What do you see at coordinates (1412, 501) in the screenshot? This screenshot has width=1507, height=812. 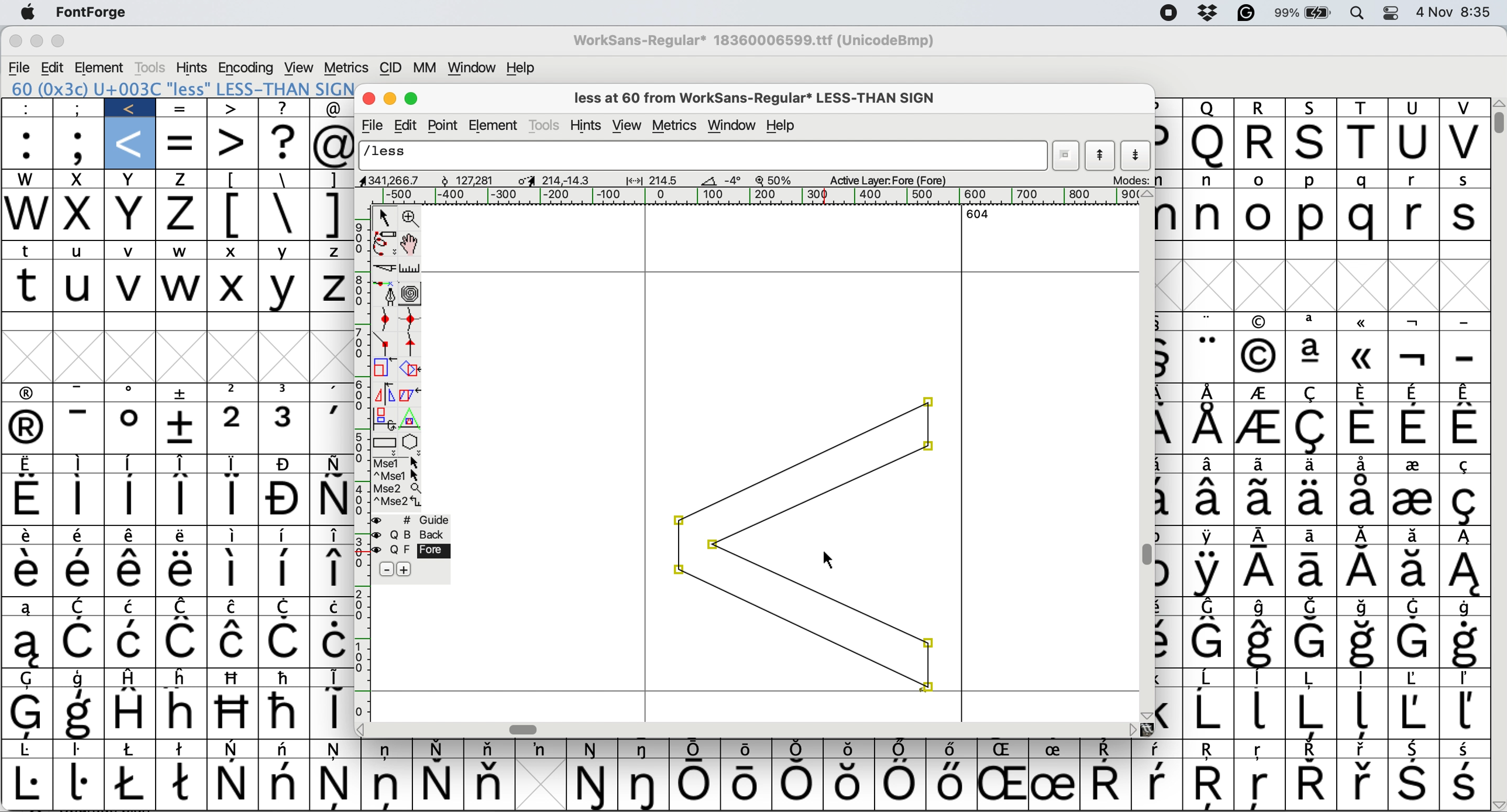 I see `Symbol` at bounding box center [1412, 501].